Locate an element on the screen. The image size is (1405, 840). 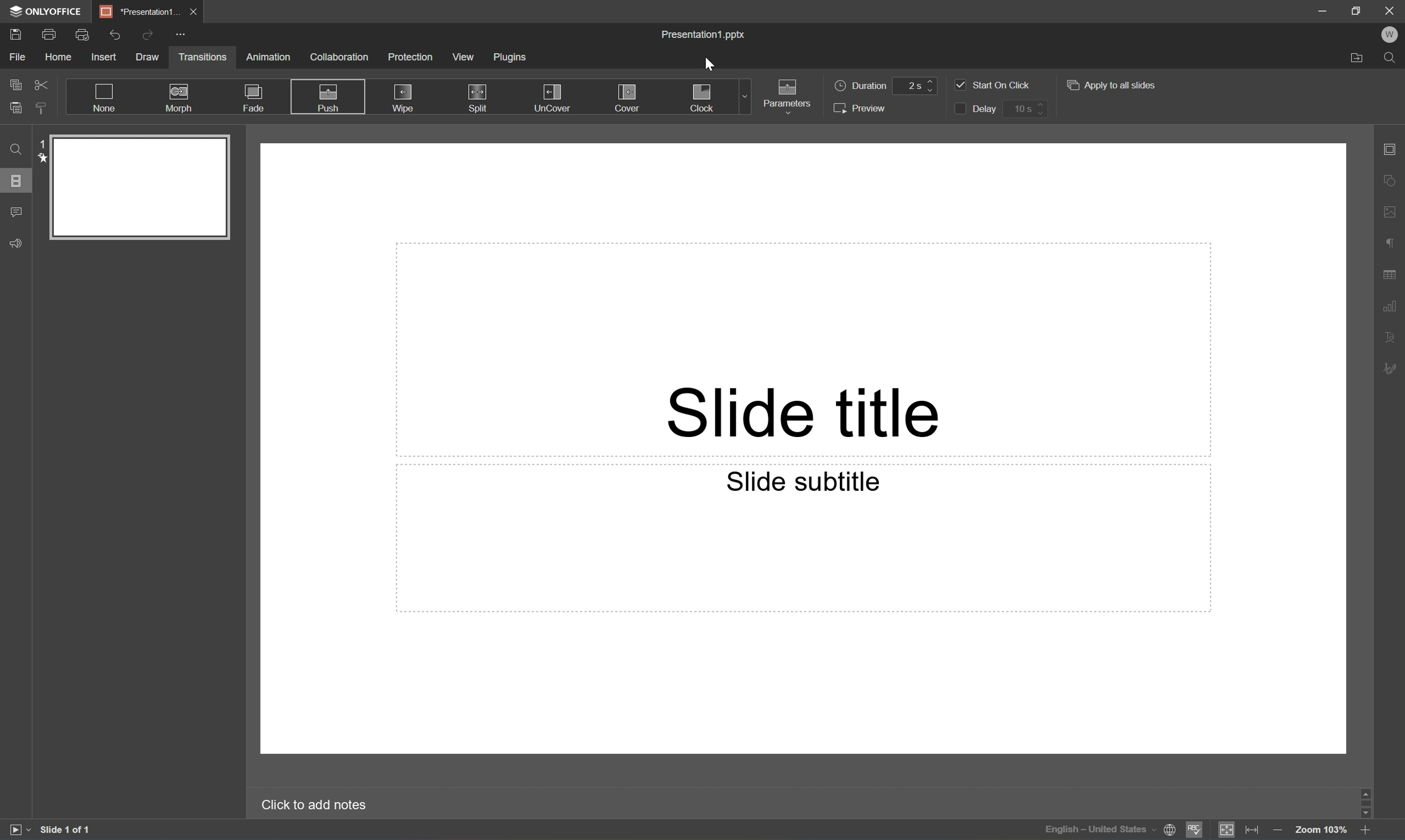
Slide 1 of 1 is located at coordinates (66, 832).